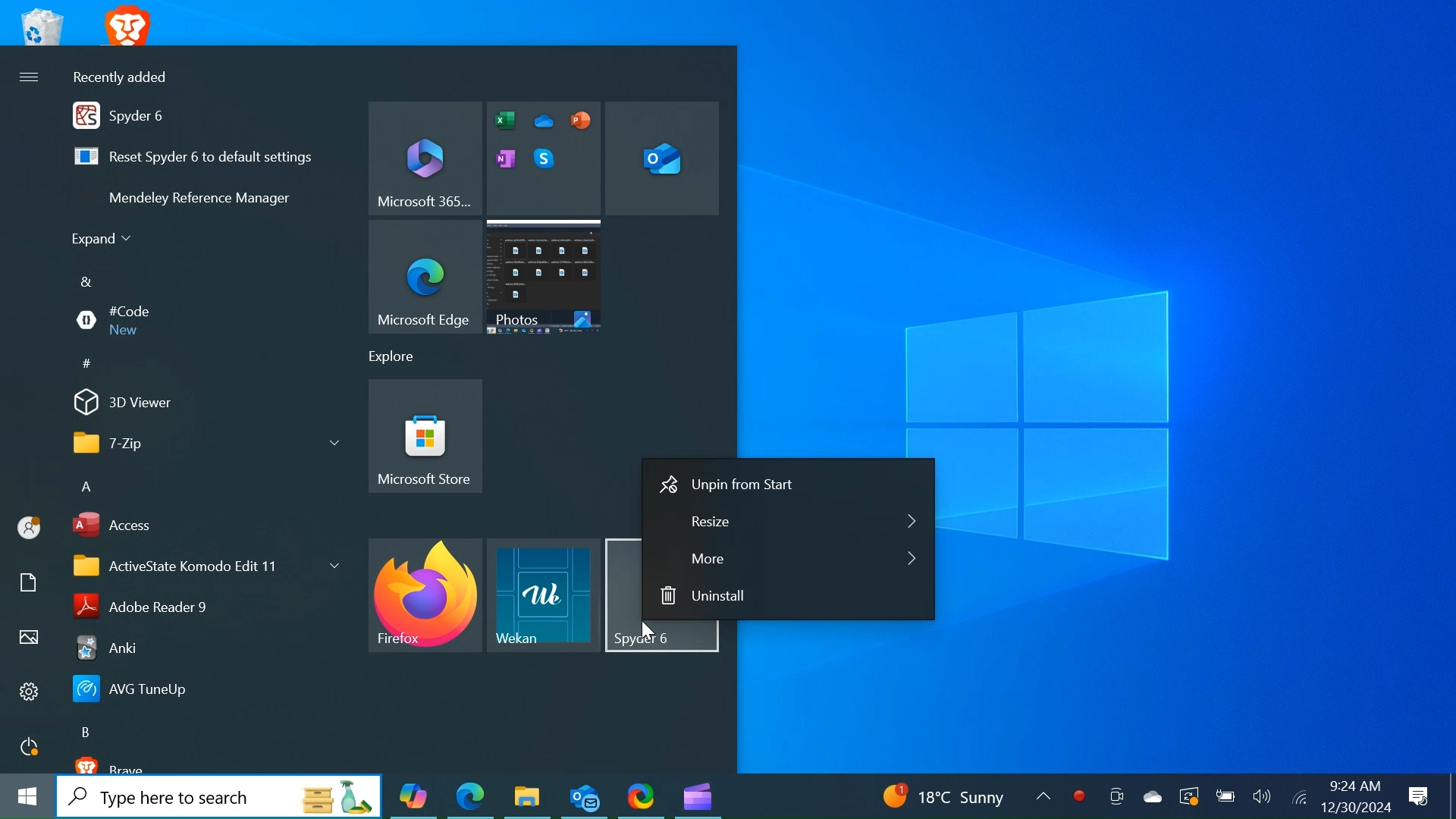  What do you see at coordinates (29, 582) in the screenshot?
I see `Documents` at bounding box center [29, 582].